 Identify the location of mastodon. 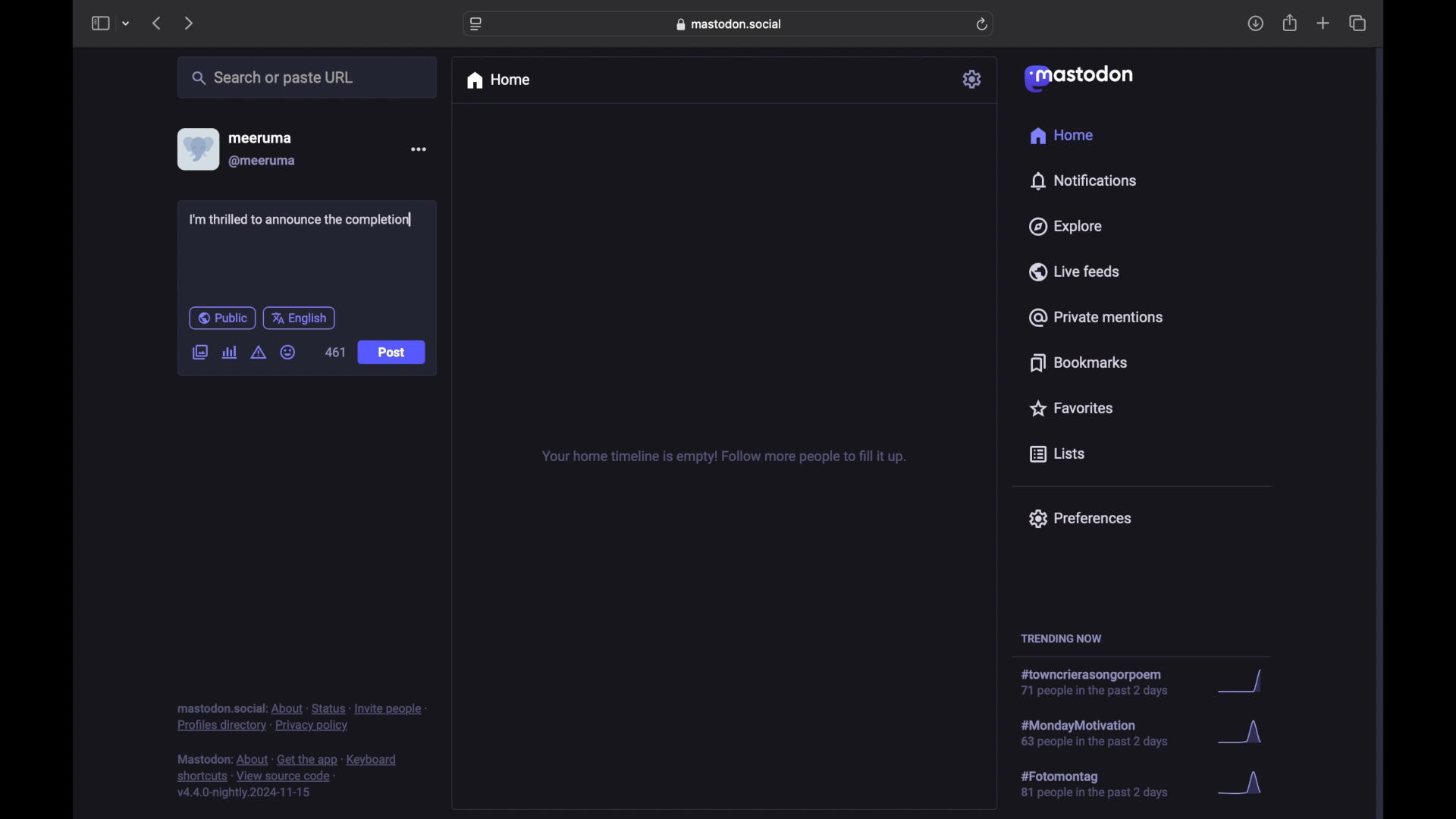
(1079, 79).